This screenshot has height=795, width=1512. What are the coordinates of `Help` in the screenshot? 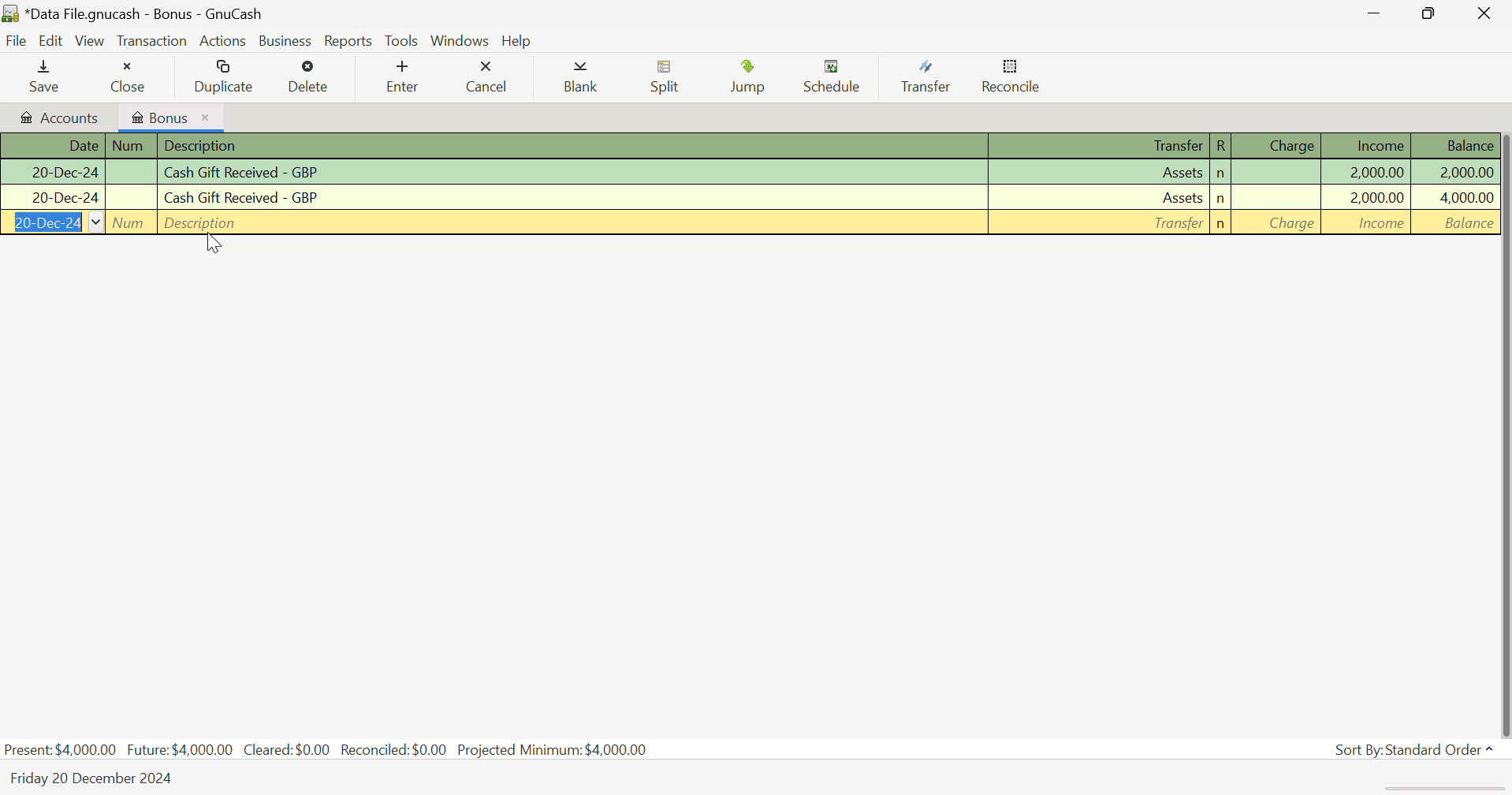 It's located at (516, 39).